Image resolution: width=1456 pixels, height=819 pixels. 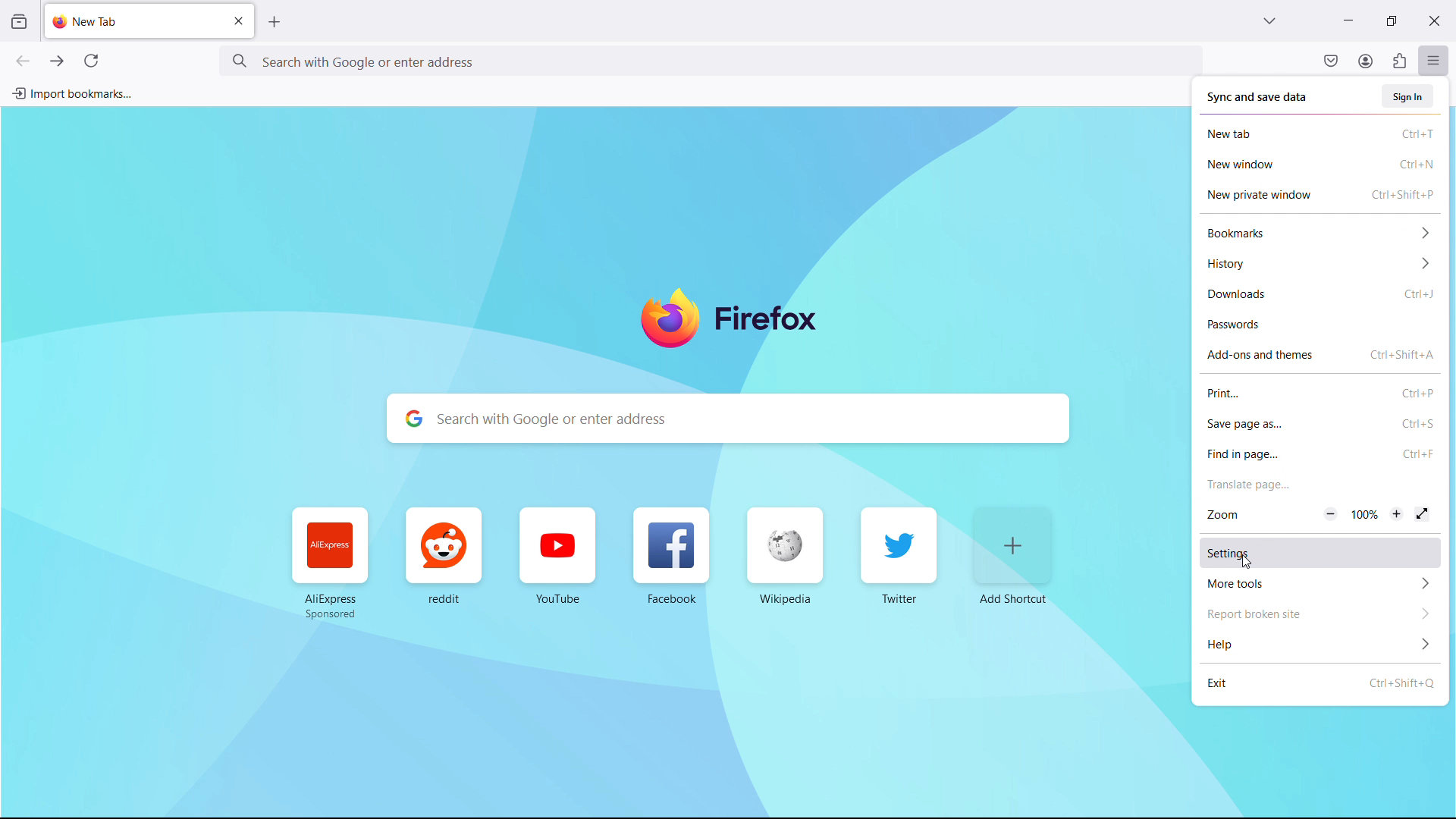 What do you see at coordinates (1258, 98) in the screenshot?
I see `sync and save data` at bounding box center [1258, 98].